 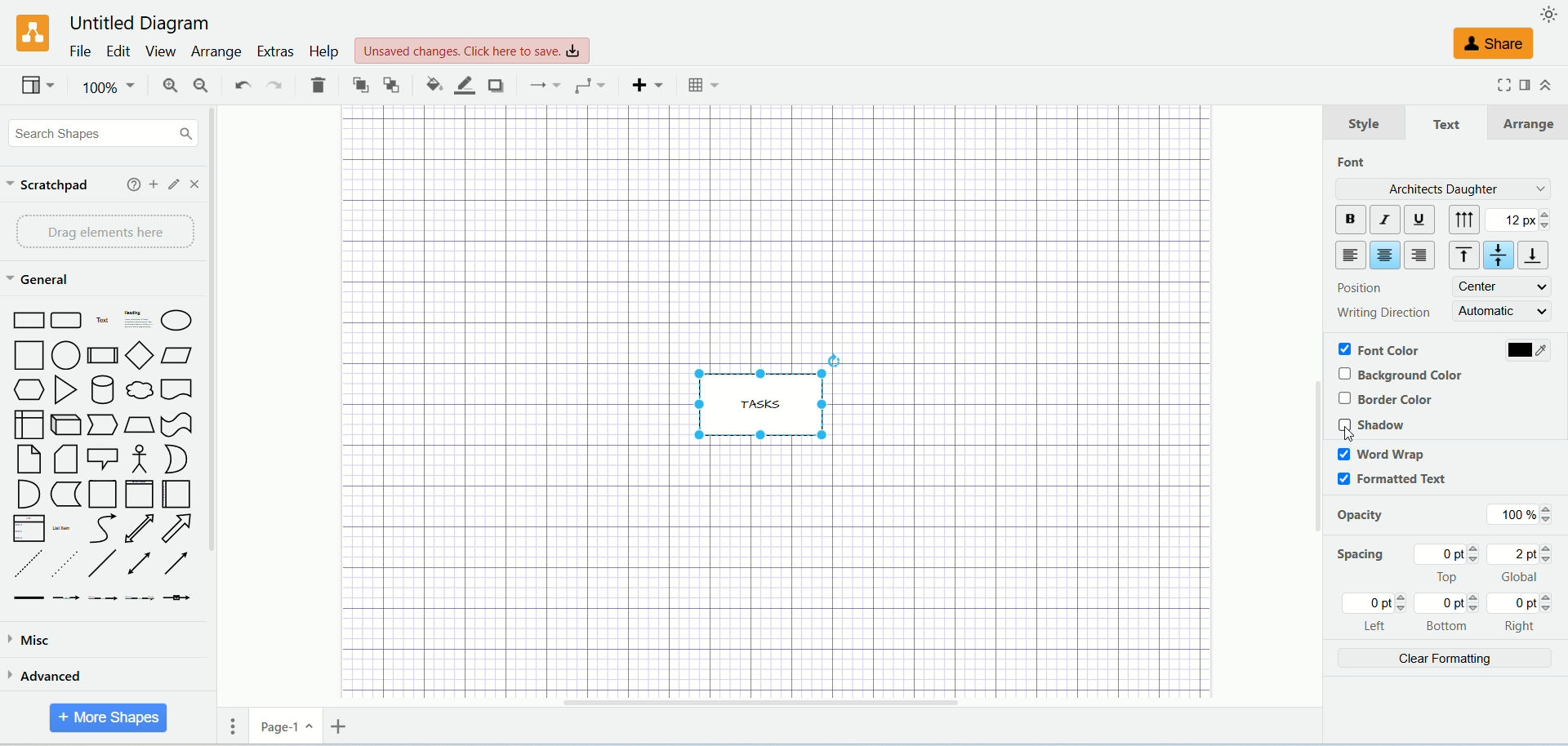 I want to click on Circle, so click(x=67, y=355).